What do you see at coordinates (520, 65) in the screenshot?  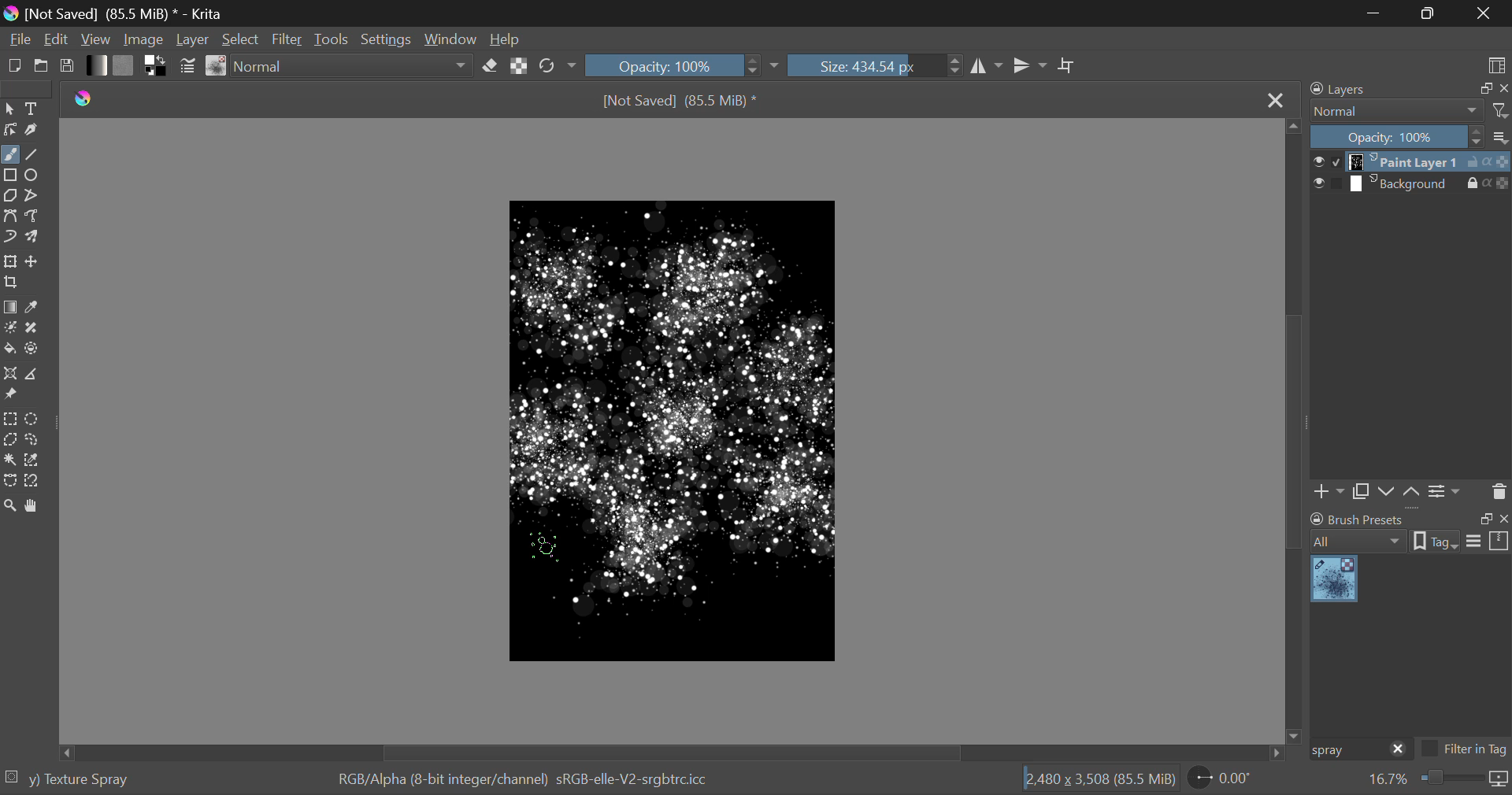 I see `Lock Alpha` at bounding box center [520, 65].